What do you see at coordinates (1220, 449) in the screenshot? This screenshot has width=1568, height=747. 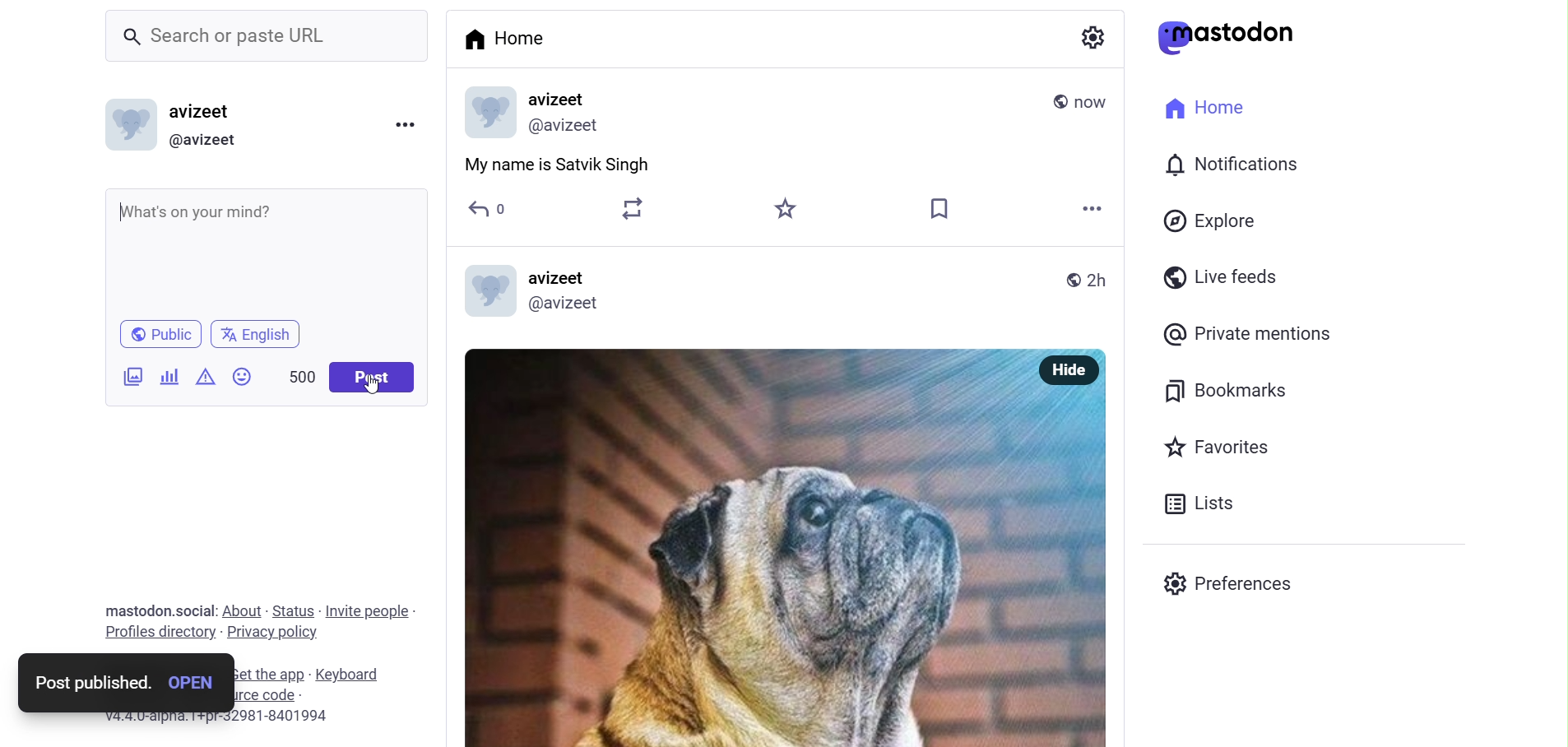 I see `Favorites` at bounding box center [1220, 449].